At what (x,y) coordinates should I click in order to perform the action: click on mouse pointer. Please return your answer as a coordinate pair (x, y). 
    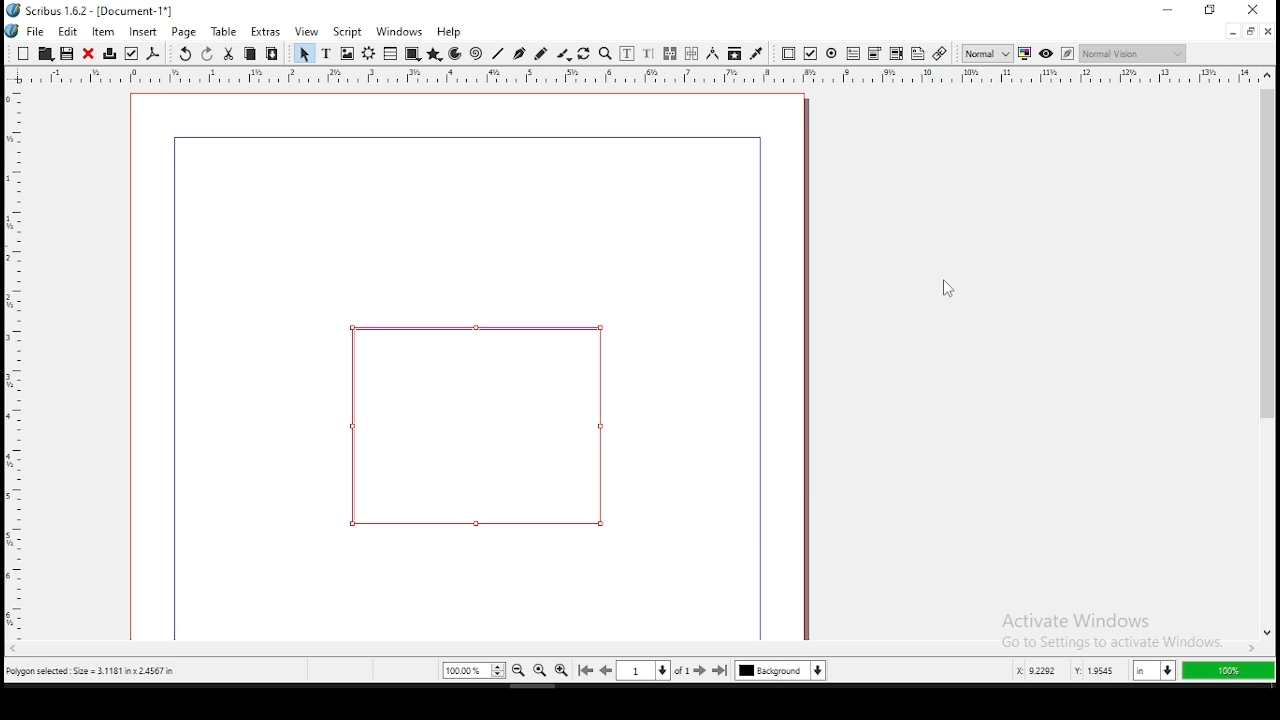
    Looking at the image, I should click on (945, 289).